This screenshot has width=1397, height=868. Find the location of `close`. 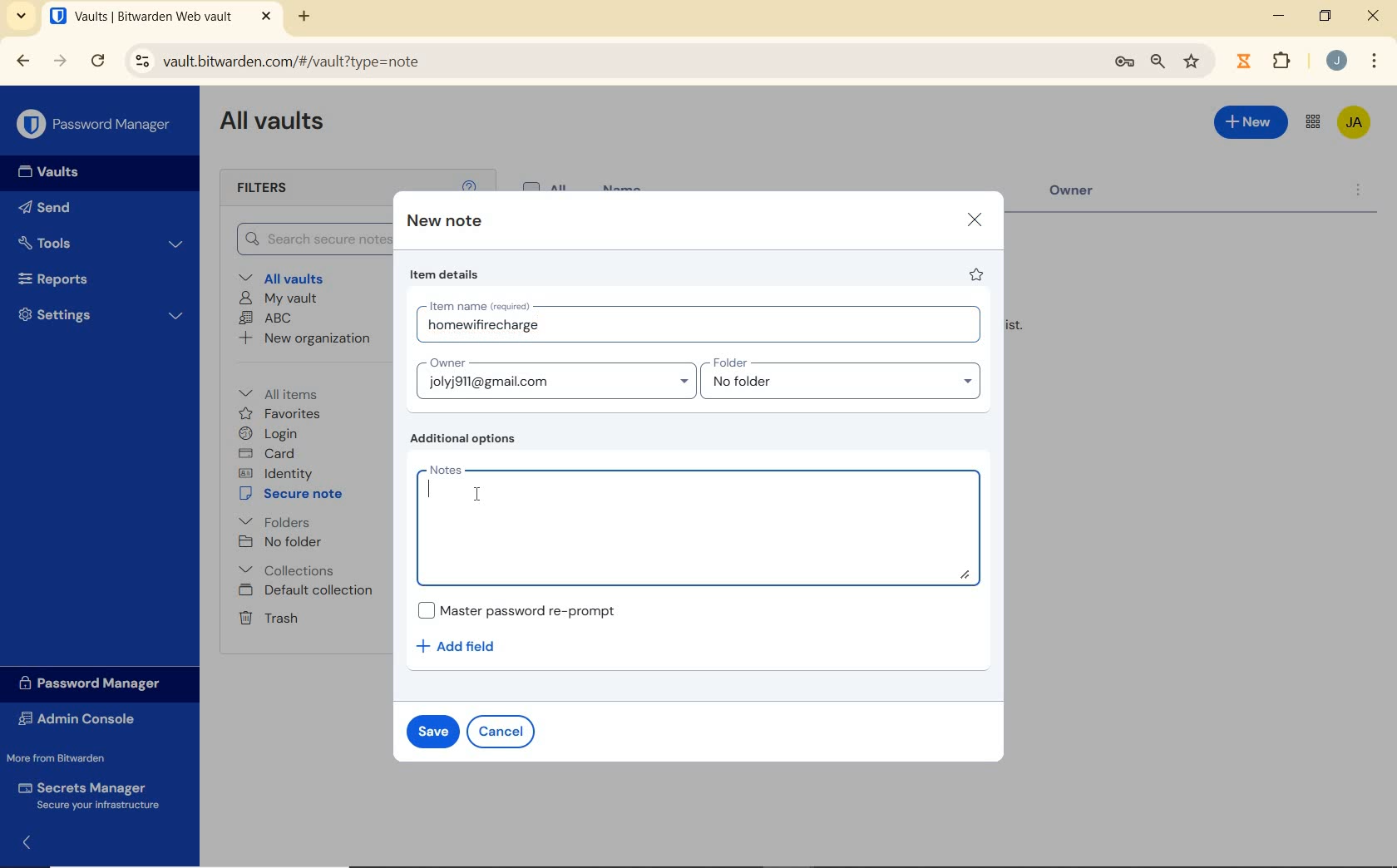

close is located at coordinates (1373, 15).